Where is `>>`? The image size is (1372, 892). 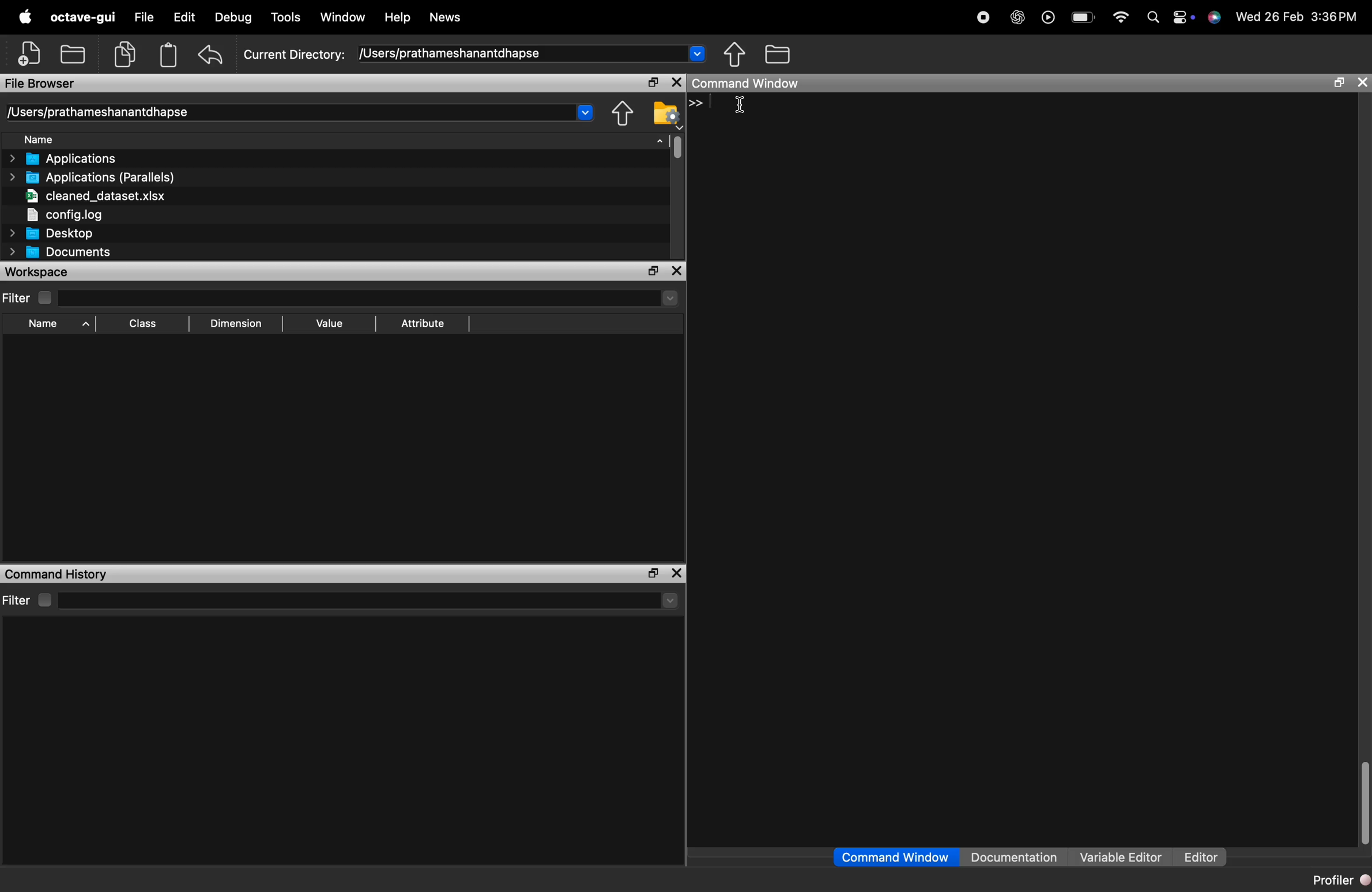 >> is located at coordinates (702, 102).